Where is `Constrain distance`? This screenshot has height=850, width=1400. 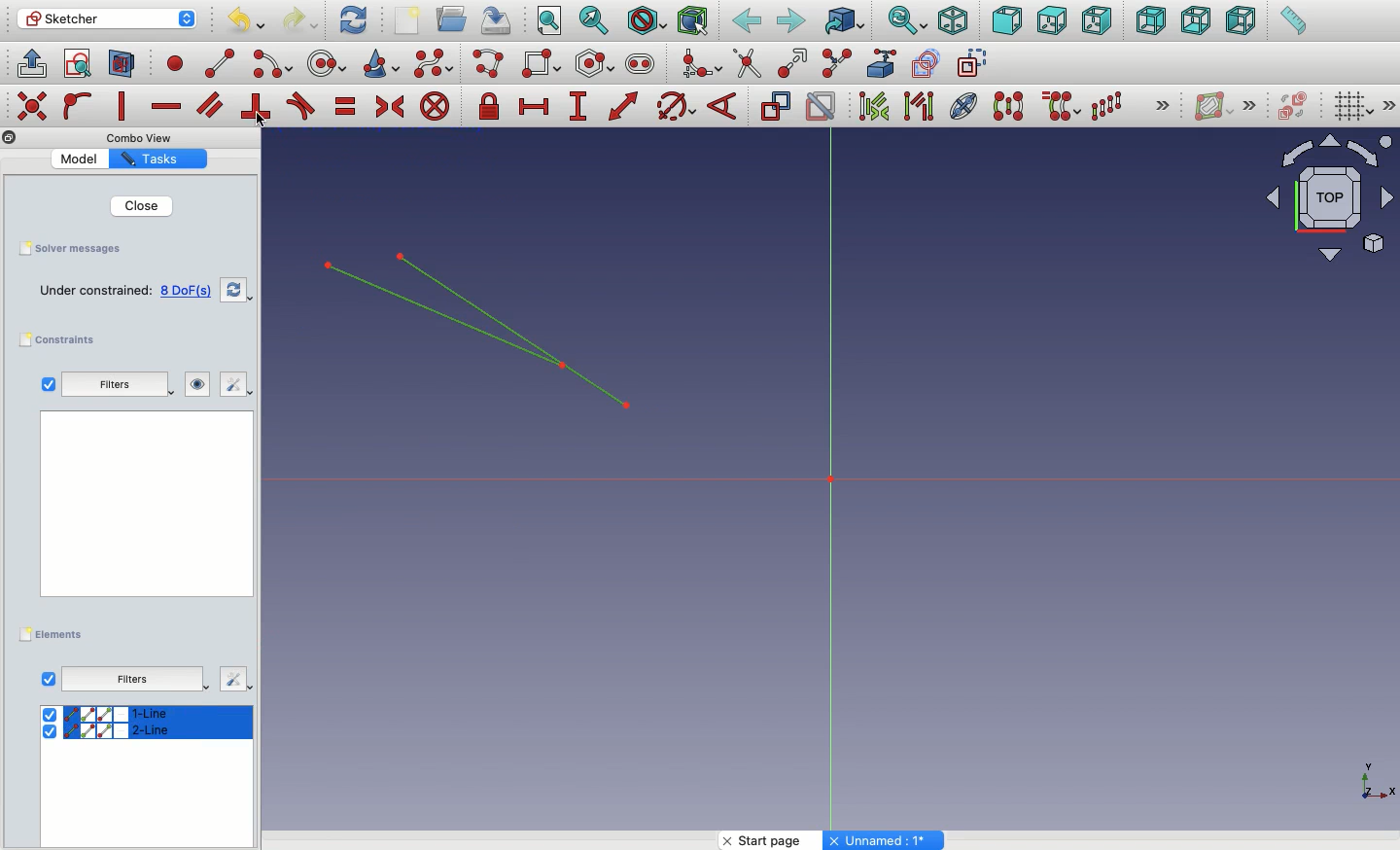
Constrain distance is located at coordinates (624, 106).